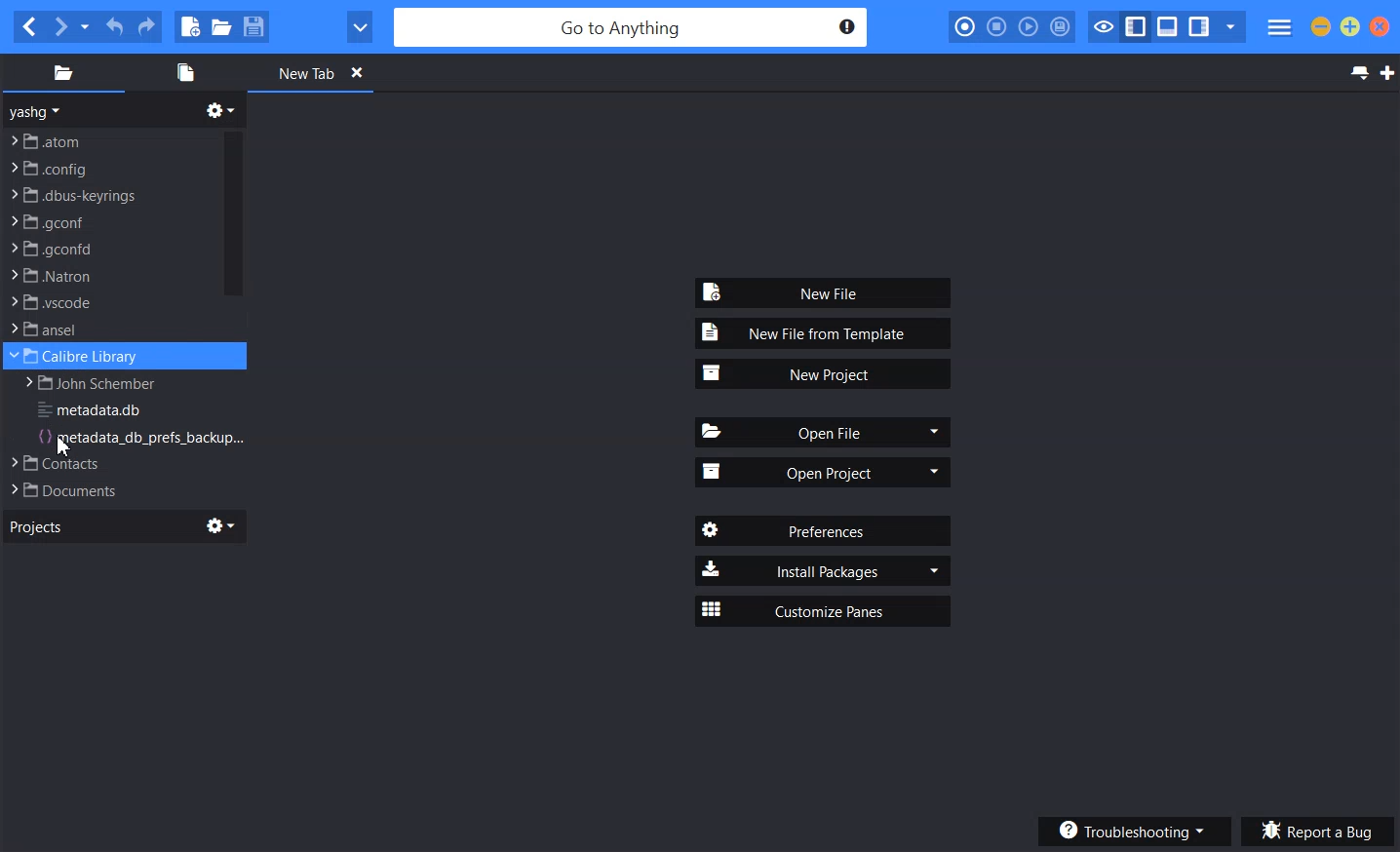 This screenshot has height=852, width=1400. What do you see at coordinates (1321, 26) in the screenshot?
I see `Minimize` at bounding box center [1321, 26].